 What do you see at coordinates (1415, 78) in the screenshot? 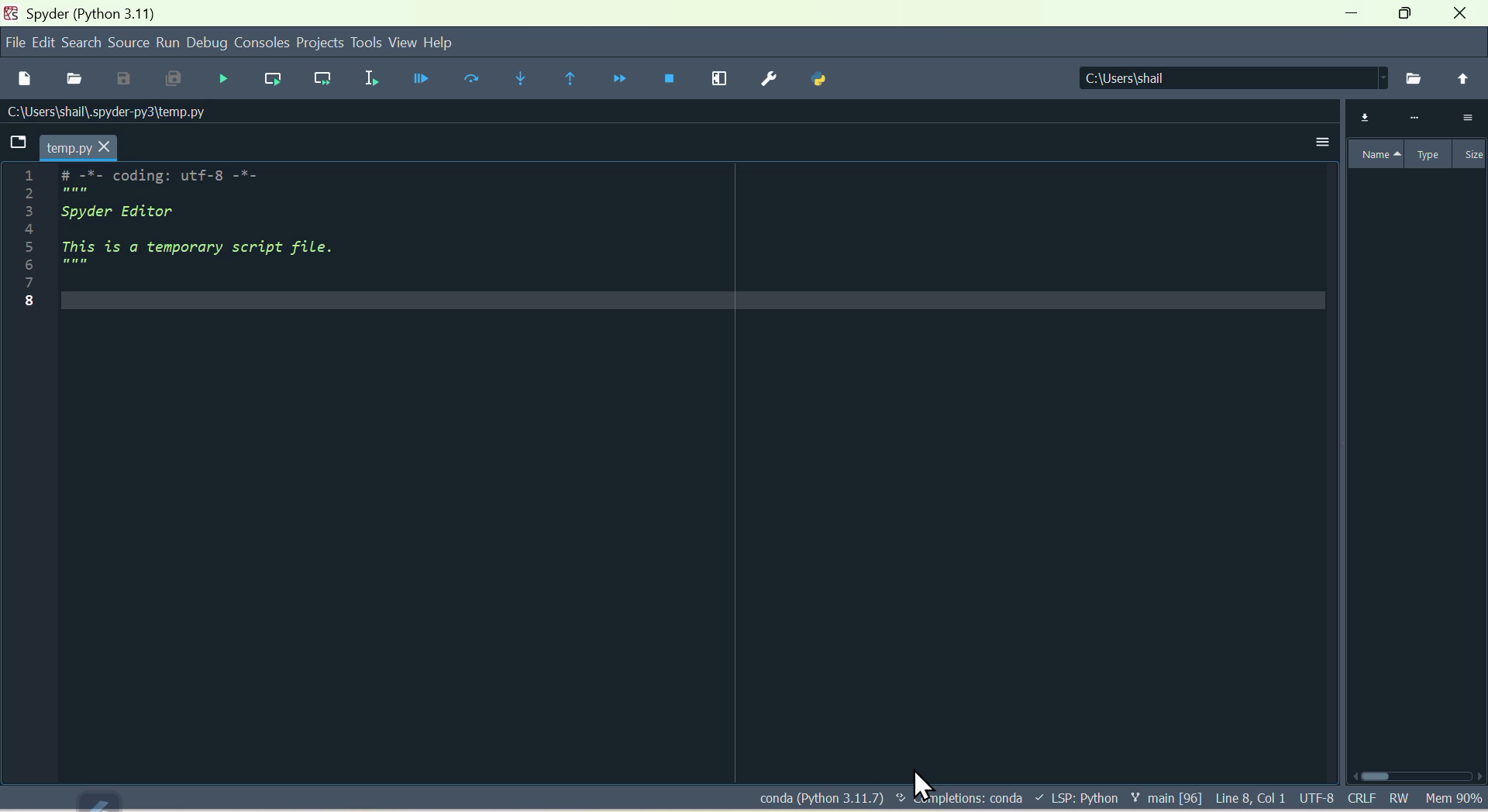
I see `Search from pc` at bounding box center [1415, 78].